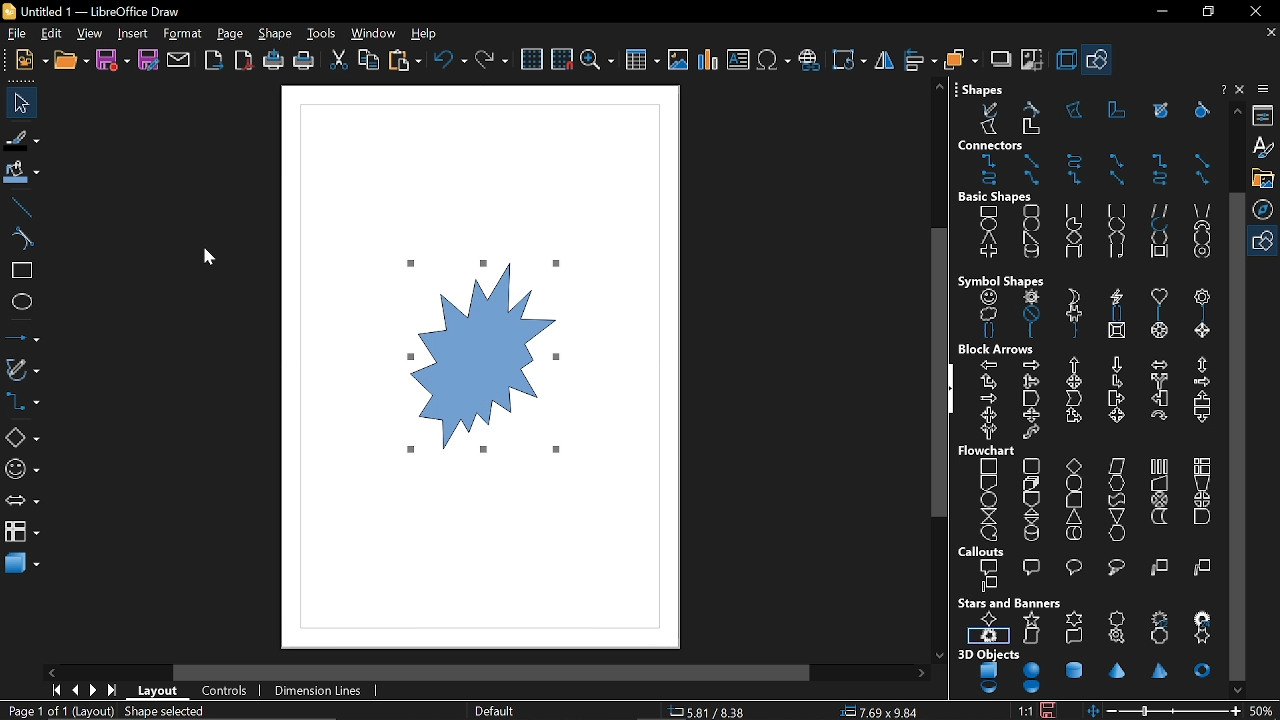 The height and width of the screenshot is (720, 1280). Describe the element at coordinates (1157, 12) in the screenshot. I see `Minimize` at that location.